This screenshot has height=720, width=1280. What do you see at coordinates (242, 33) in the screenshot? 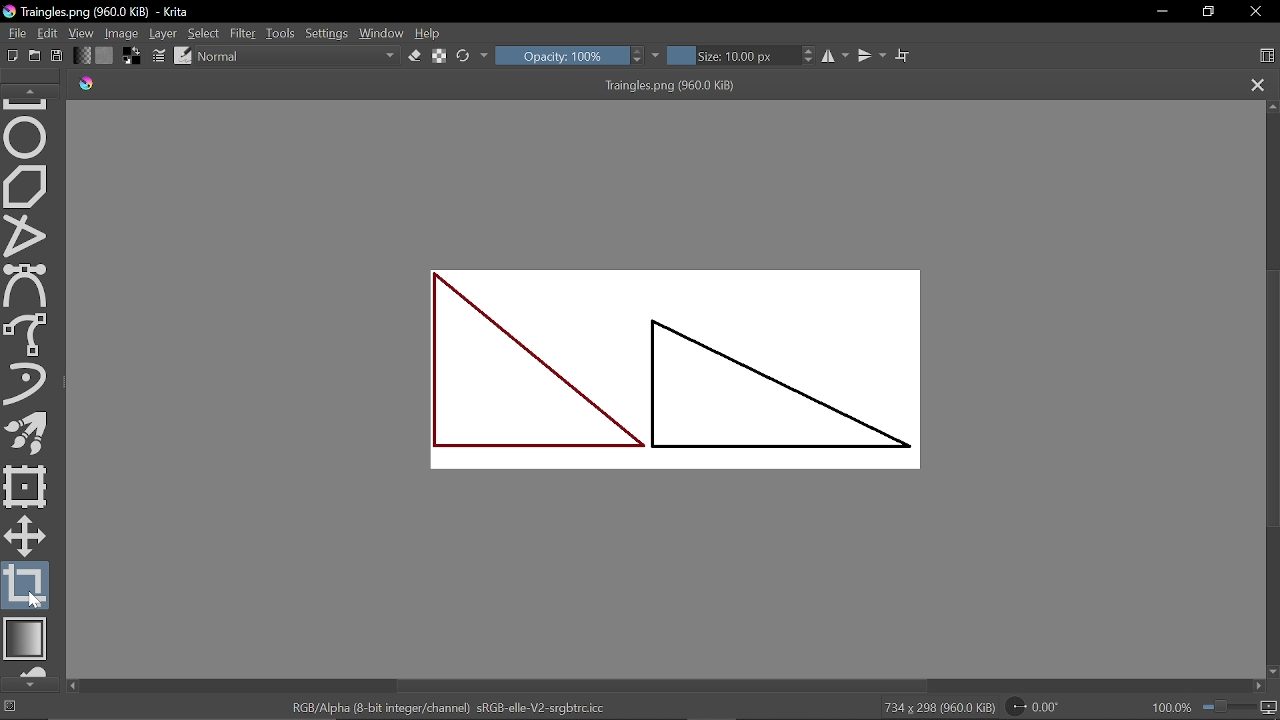
I see `Filter` at bounding box center [242, 33].